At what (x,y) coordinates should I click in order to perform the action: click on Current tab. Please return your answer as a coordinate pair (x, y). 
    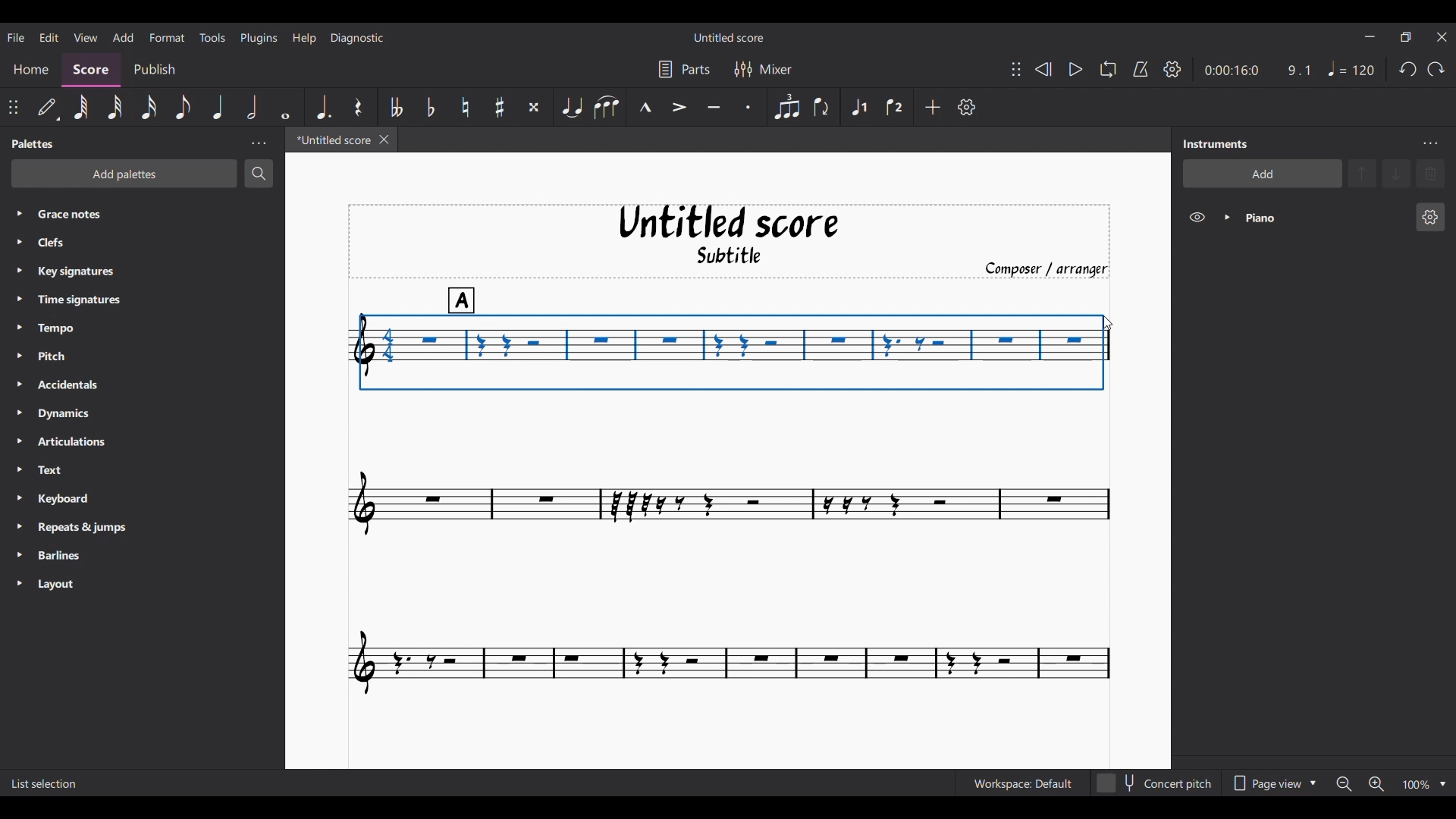
    Looking at the image, I should click on (329, 140).